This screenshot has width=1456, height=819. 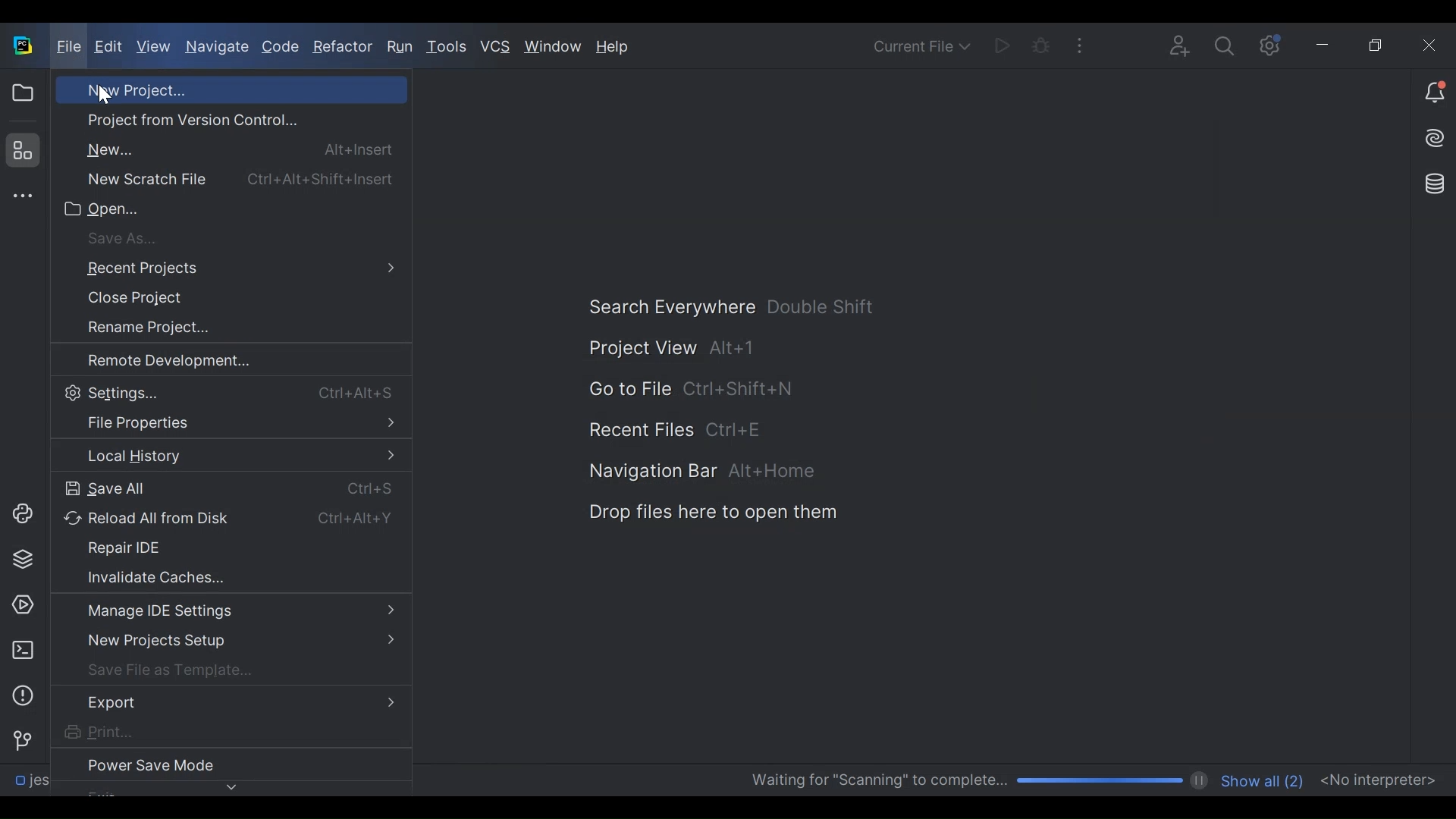 What do you see at coordinates (228, 489) in the screenshot?
I see `Save all` at bounding box center [228, 489].